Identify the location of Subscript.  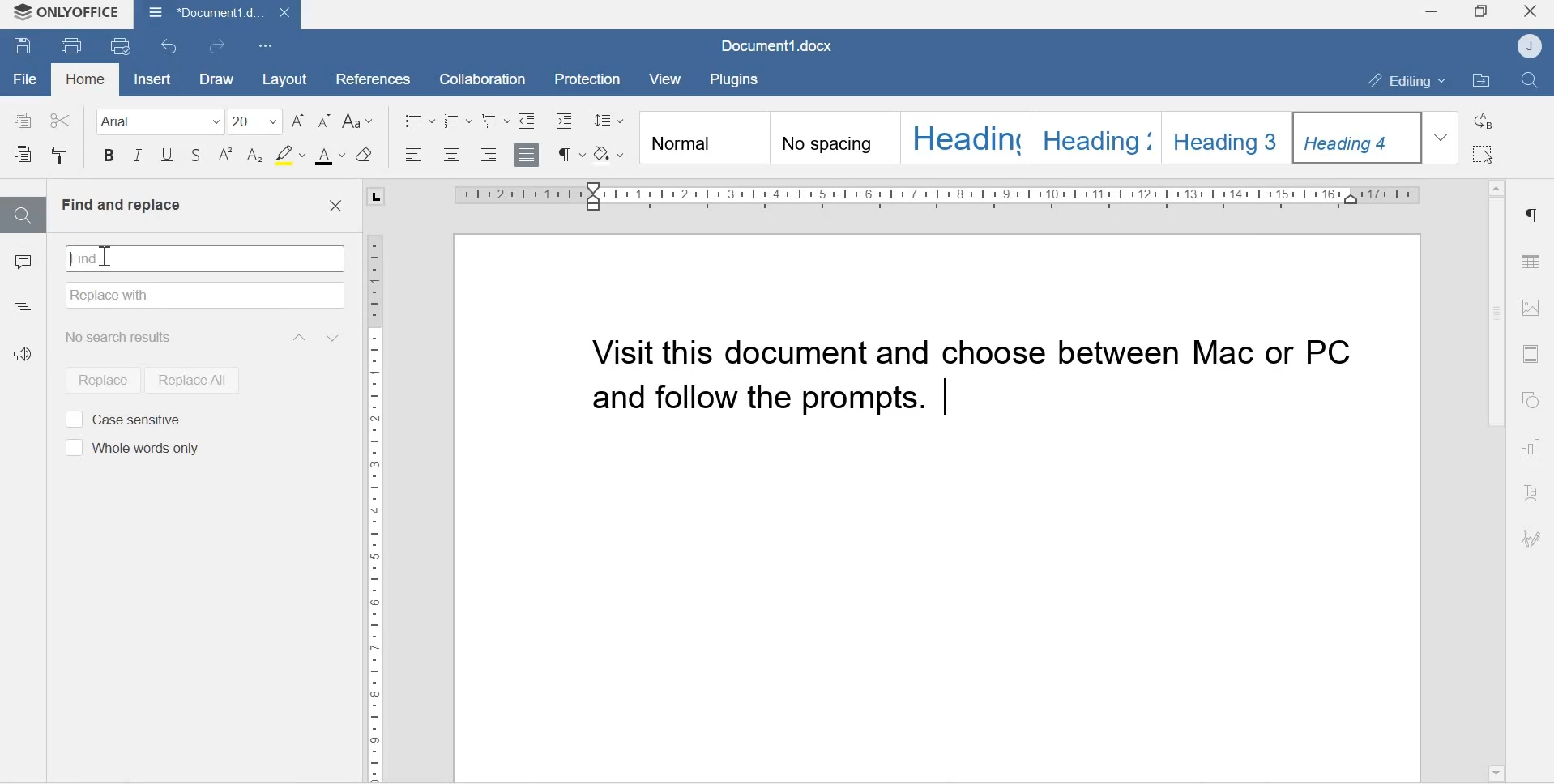
(255, 156).